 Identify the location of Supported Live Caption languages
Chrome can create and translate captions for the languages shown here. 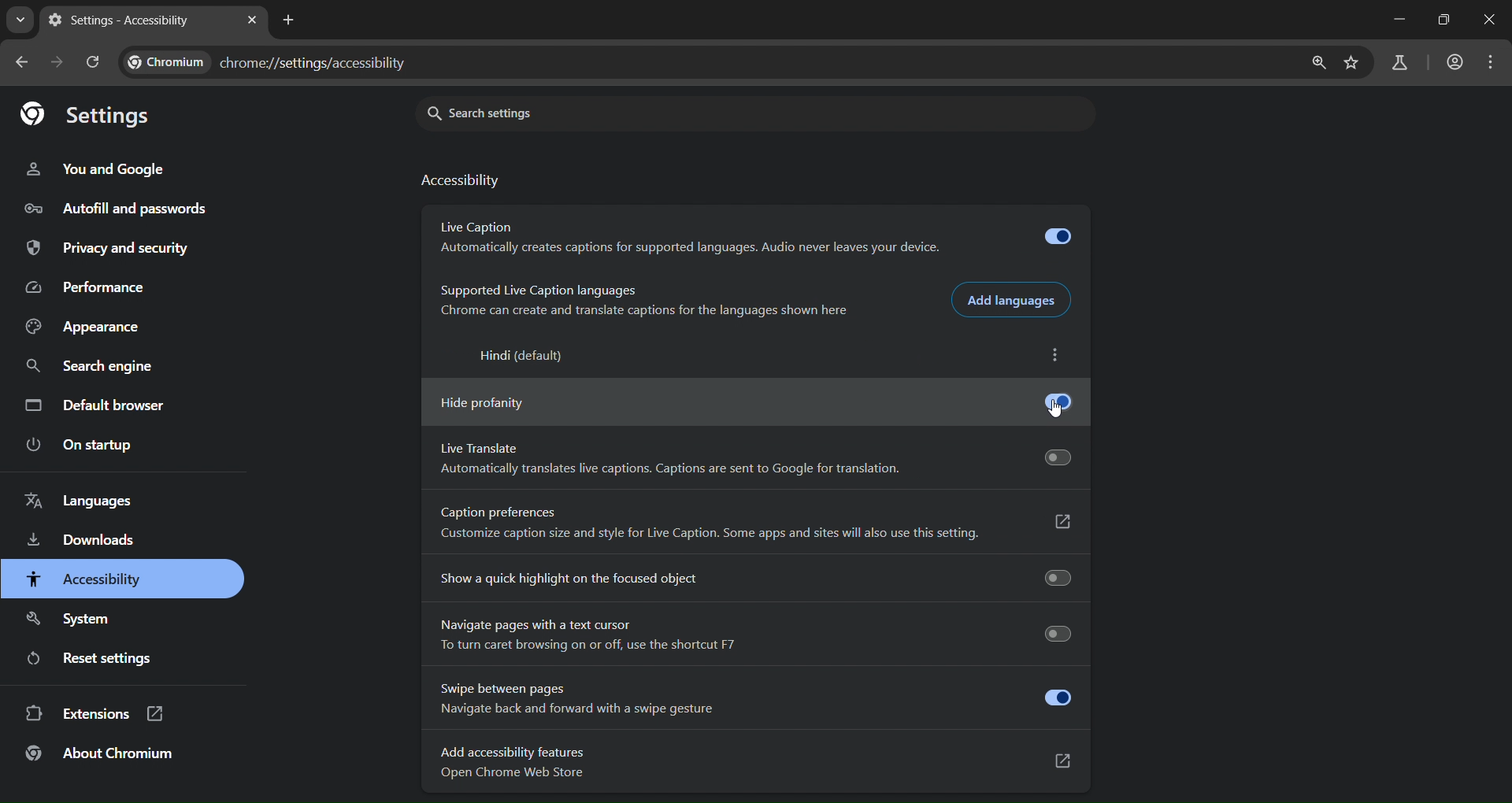
(638, 302).